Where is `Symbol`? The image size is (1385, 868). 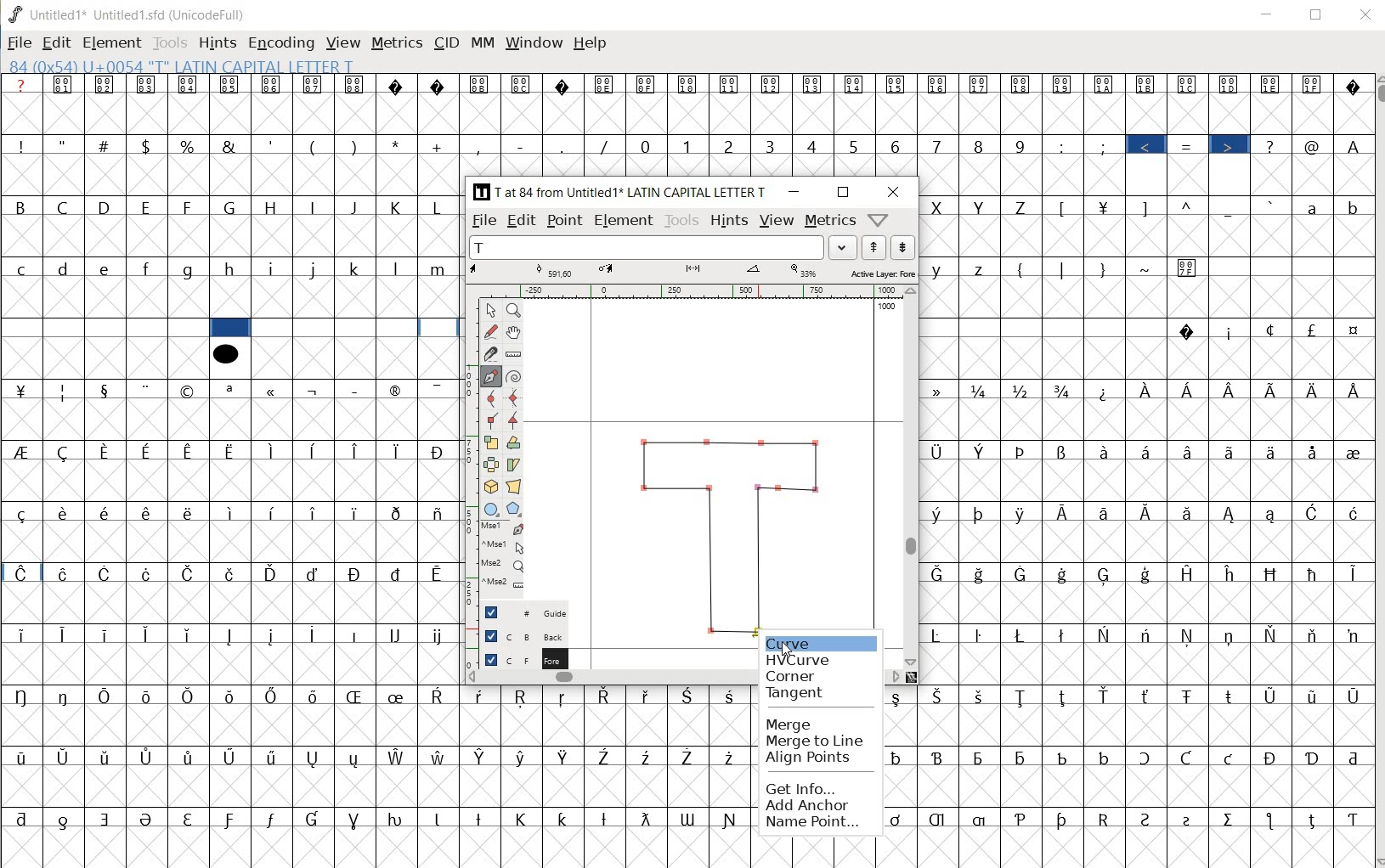
Symbol is located at coordinates (607, 818).